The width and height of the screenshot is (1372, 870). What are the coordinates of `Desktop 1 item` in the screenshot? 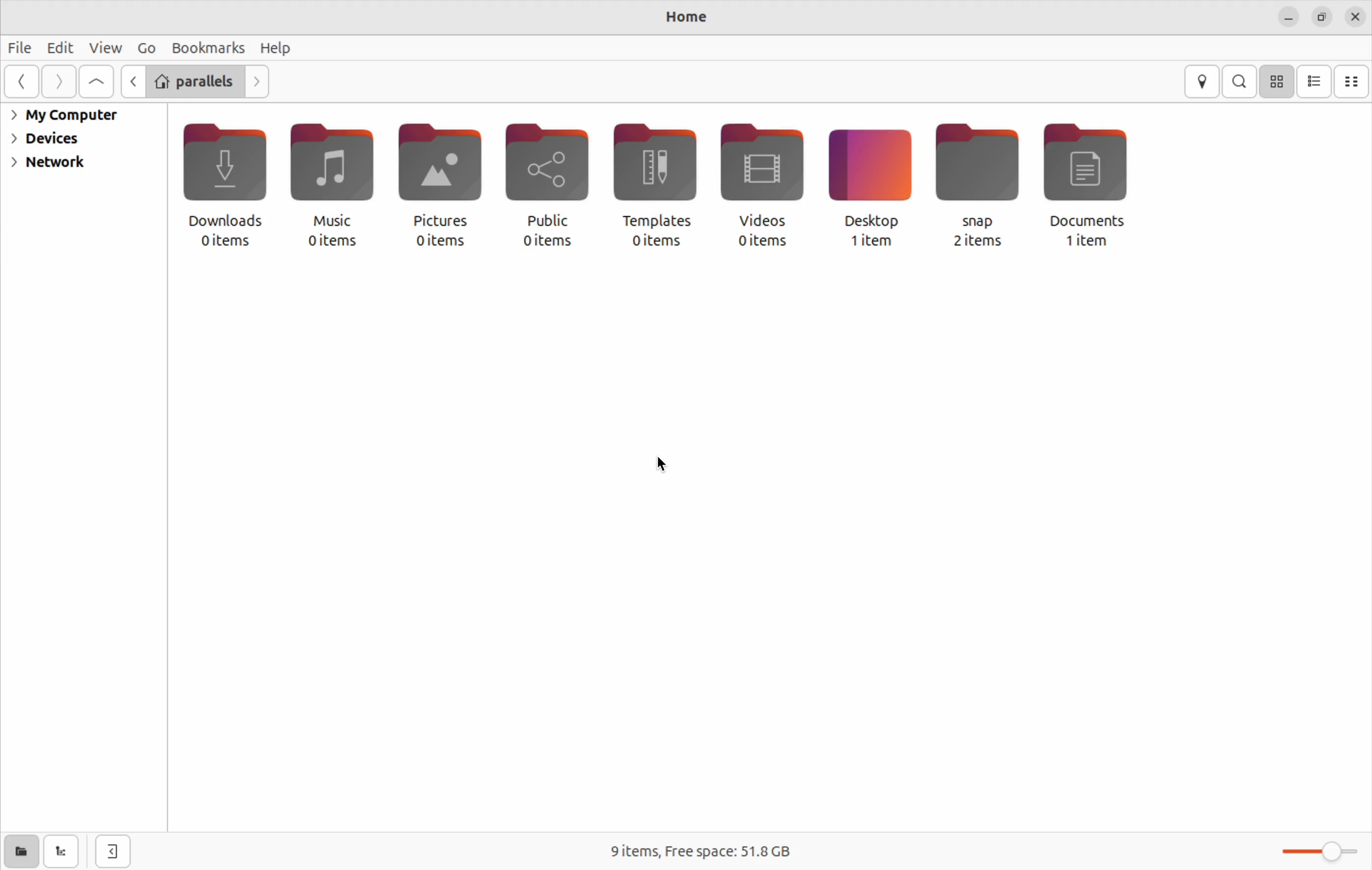 It's located at (865, 189).